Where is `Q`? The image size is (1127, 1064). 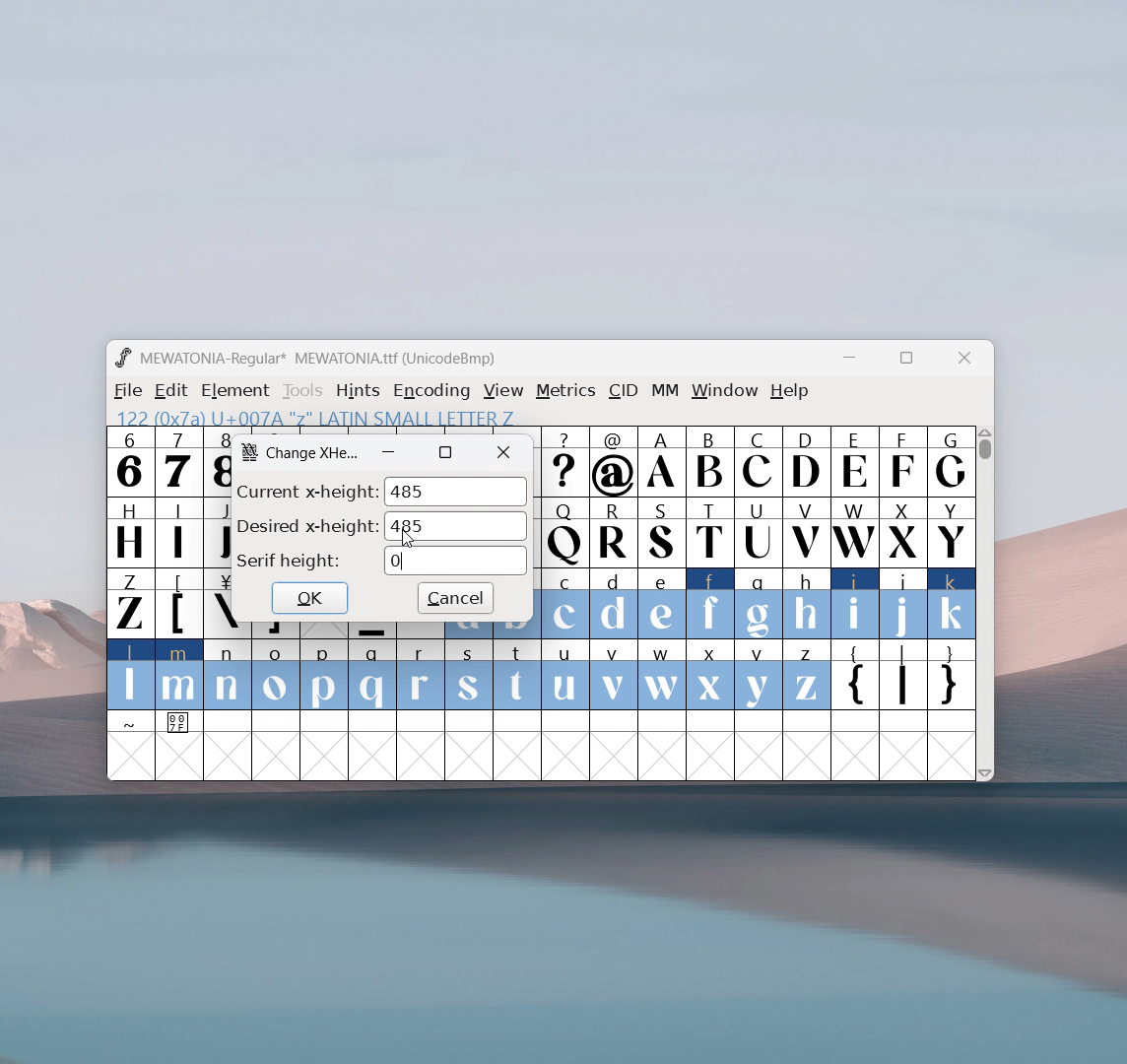 Q is located at coordinates (564, 534).